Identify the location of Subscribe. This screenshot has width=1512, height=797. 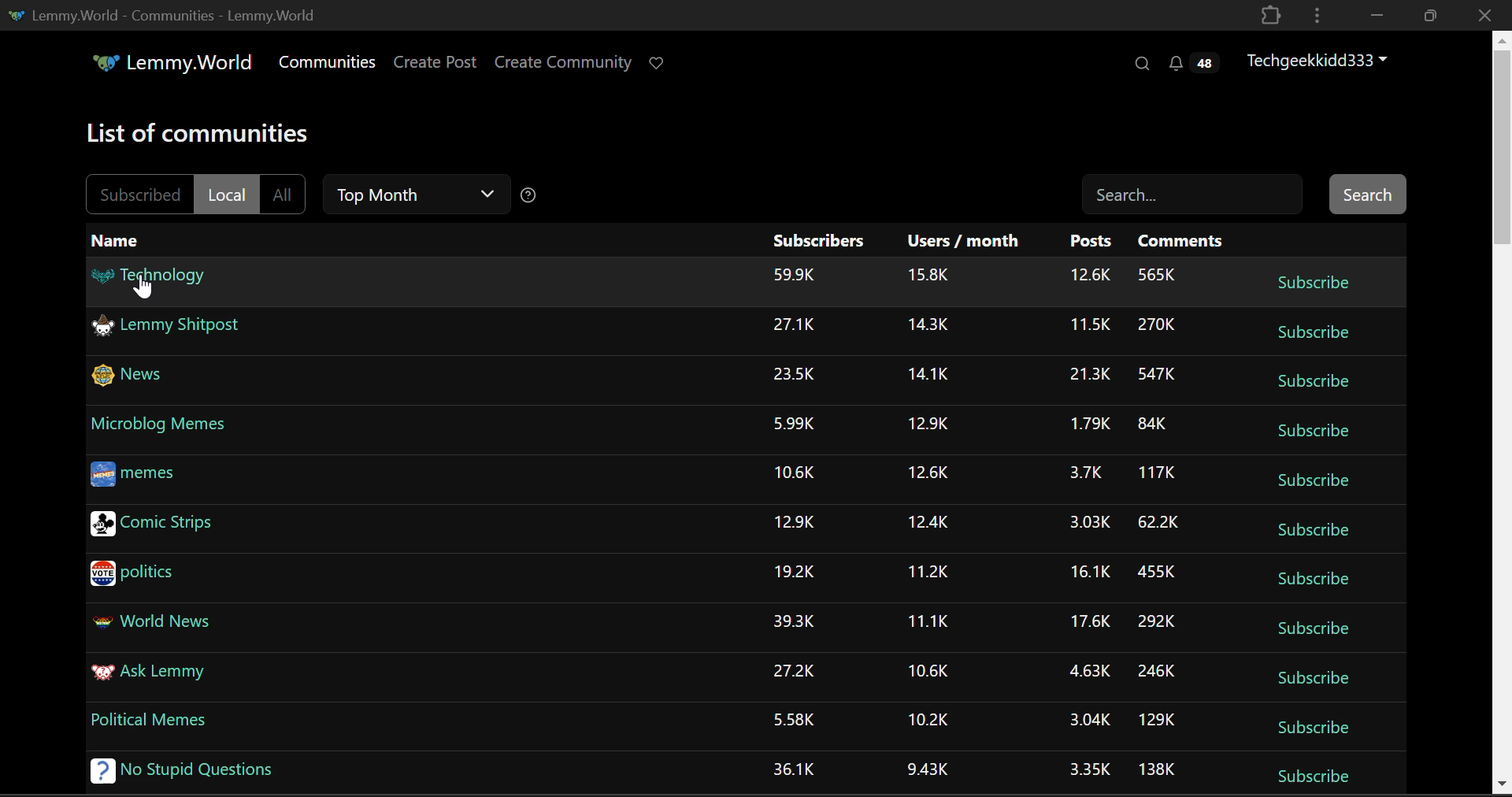
(1310, 729).